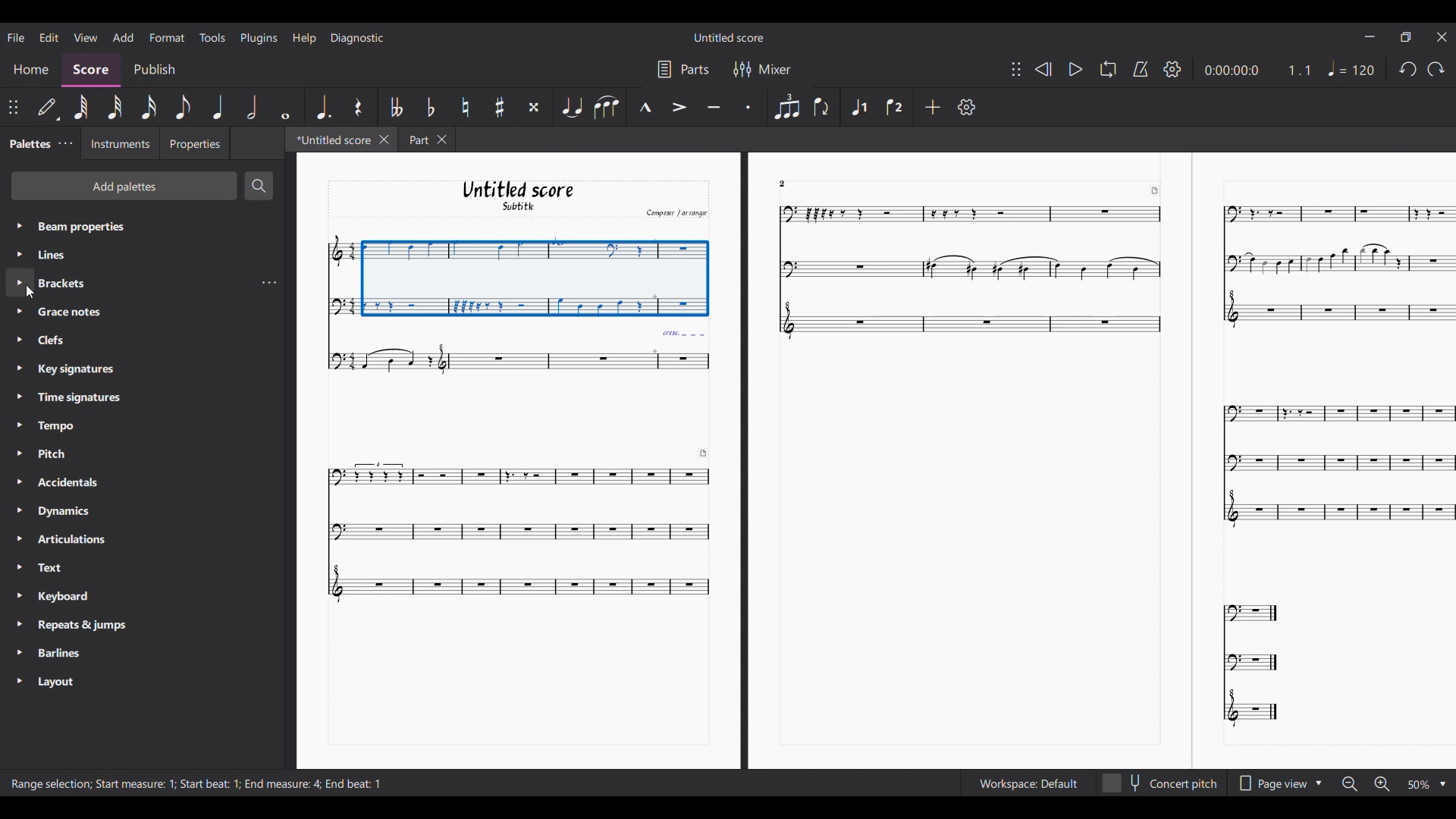 The width and height of the screenshot is (1456, 819). Describe the element at coordinates (357, 38) in the screenshot. I see `Diagnostic` at that location.